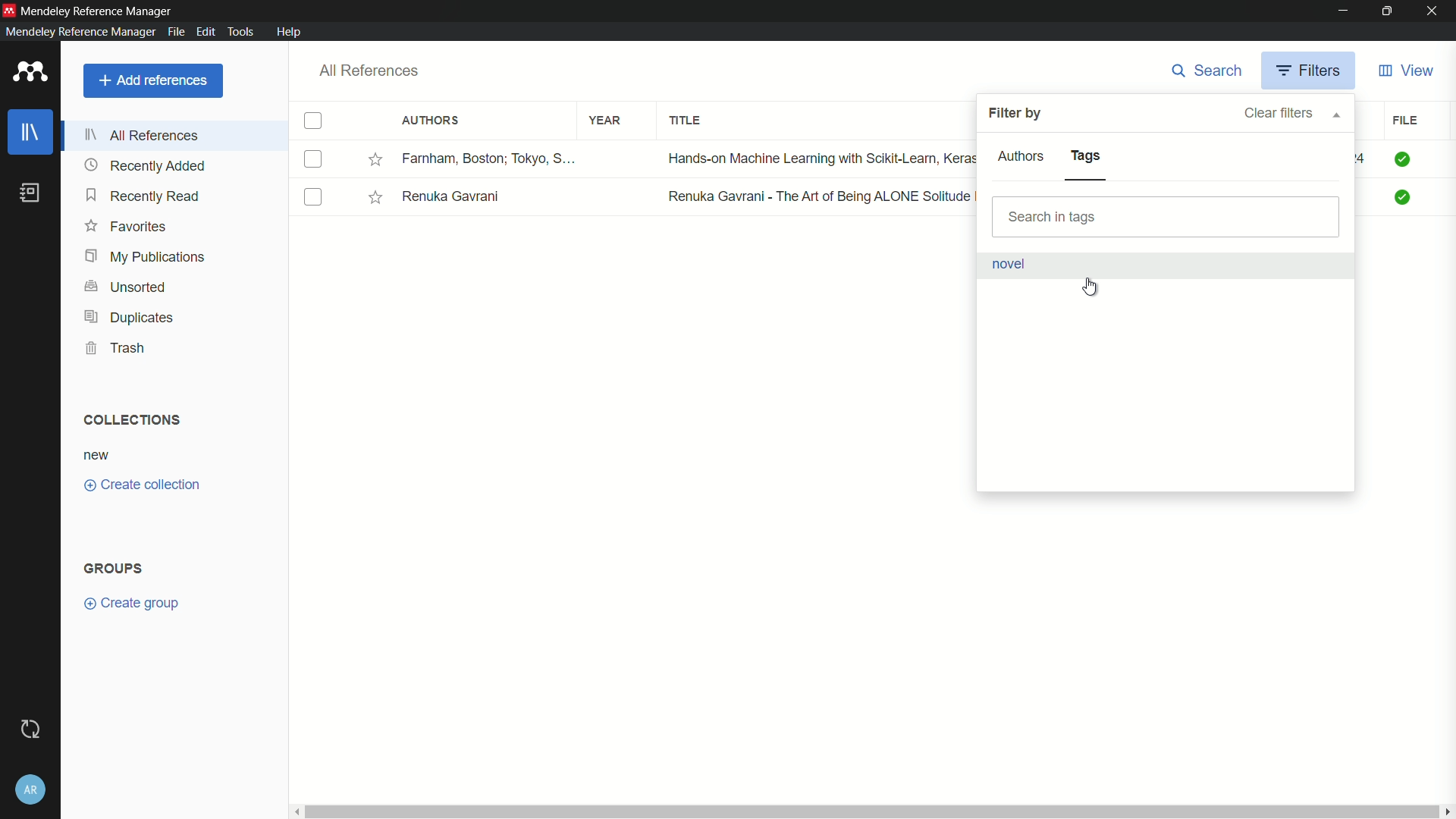  I want to click on authors, so click(430, 121).